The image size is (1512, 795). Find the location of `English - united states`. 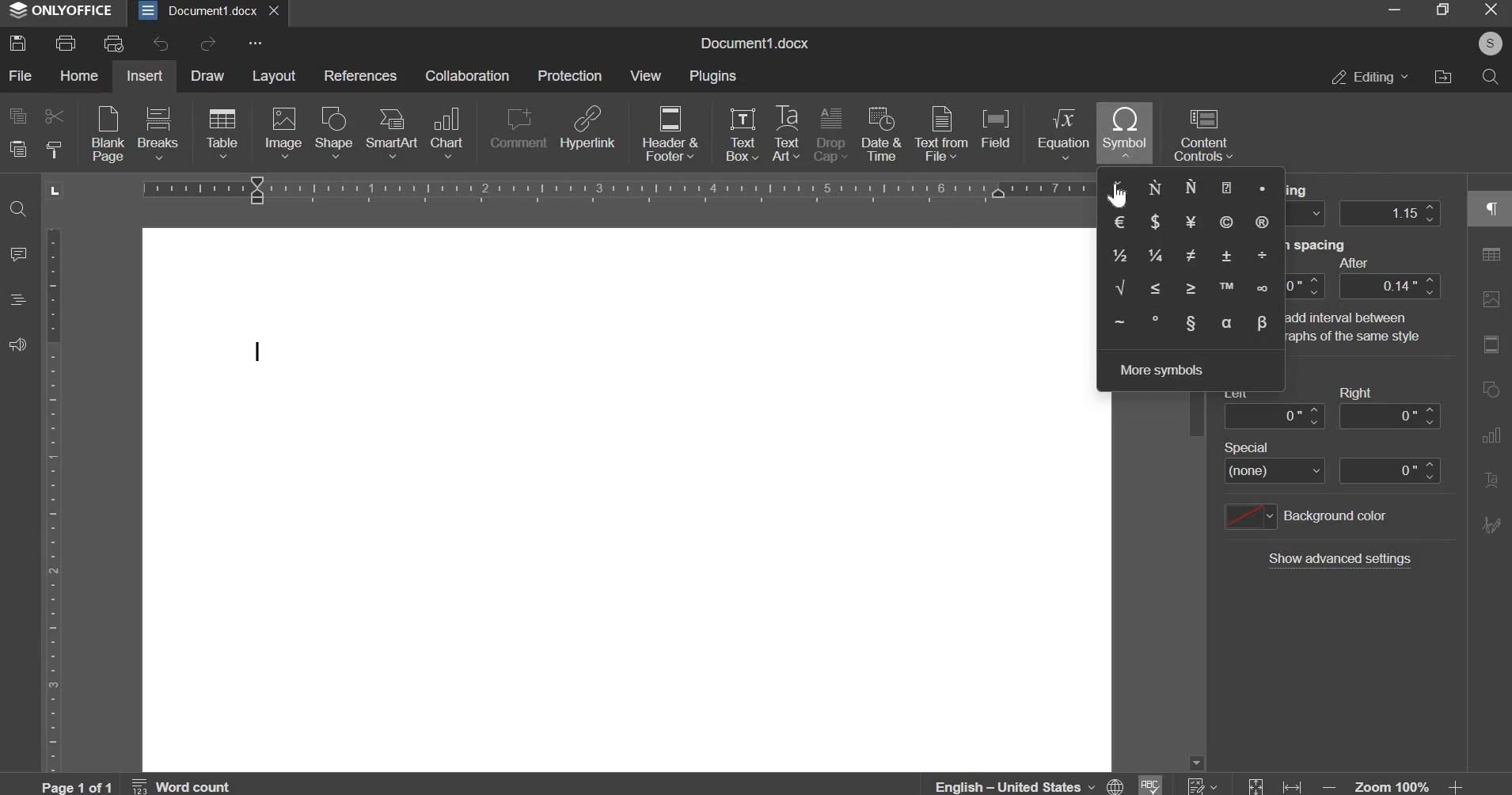

English - united states is located at coordinates (1029, 786).